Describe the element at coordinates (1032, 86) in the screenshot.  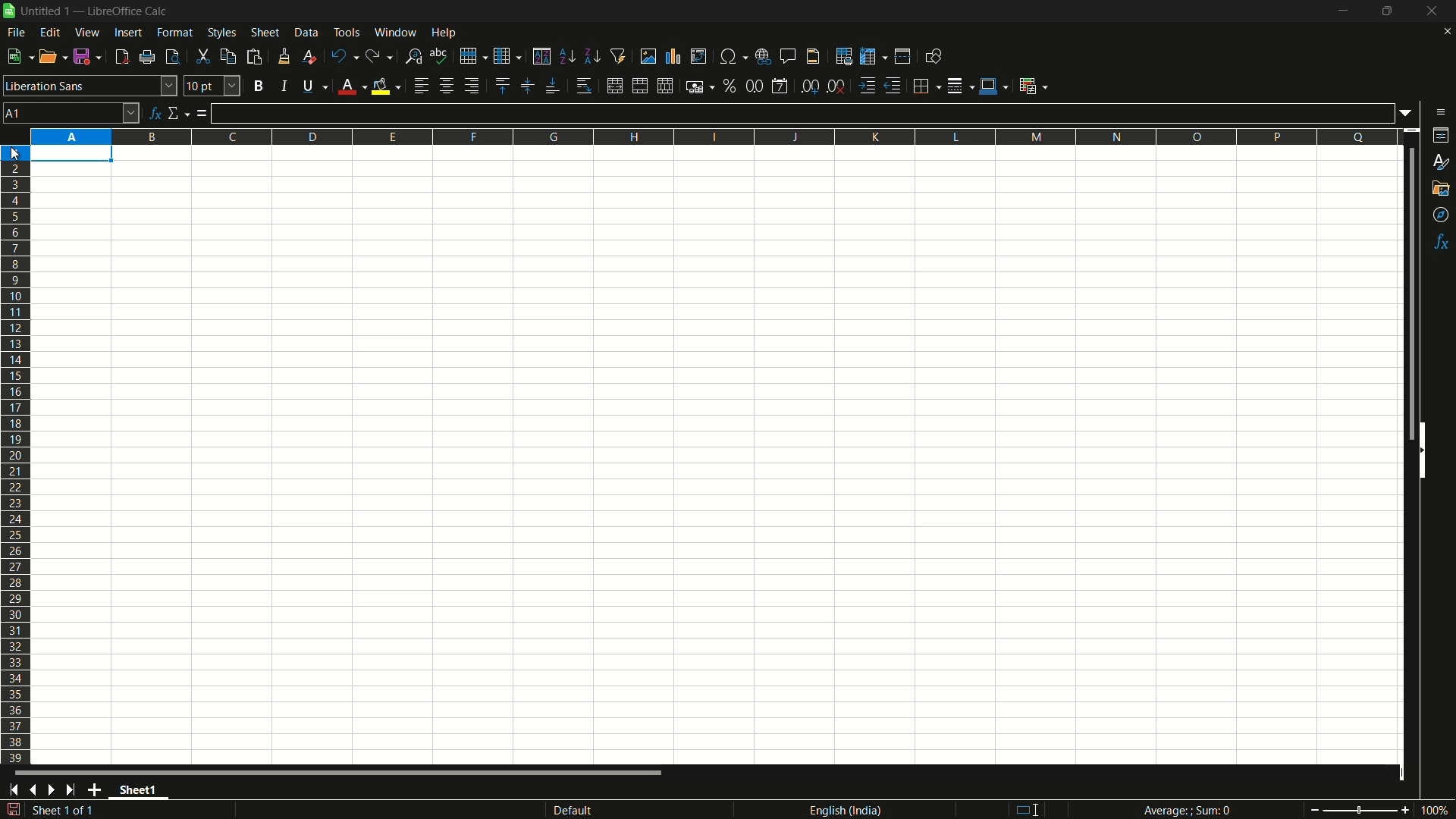
I see `conditional formatting` at that location.